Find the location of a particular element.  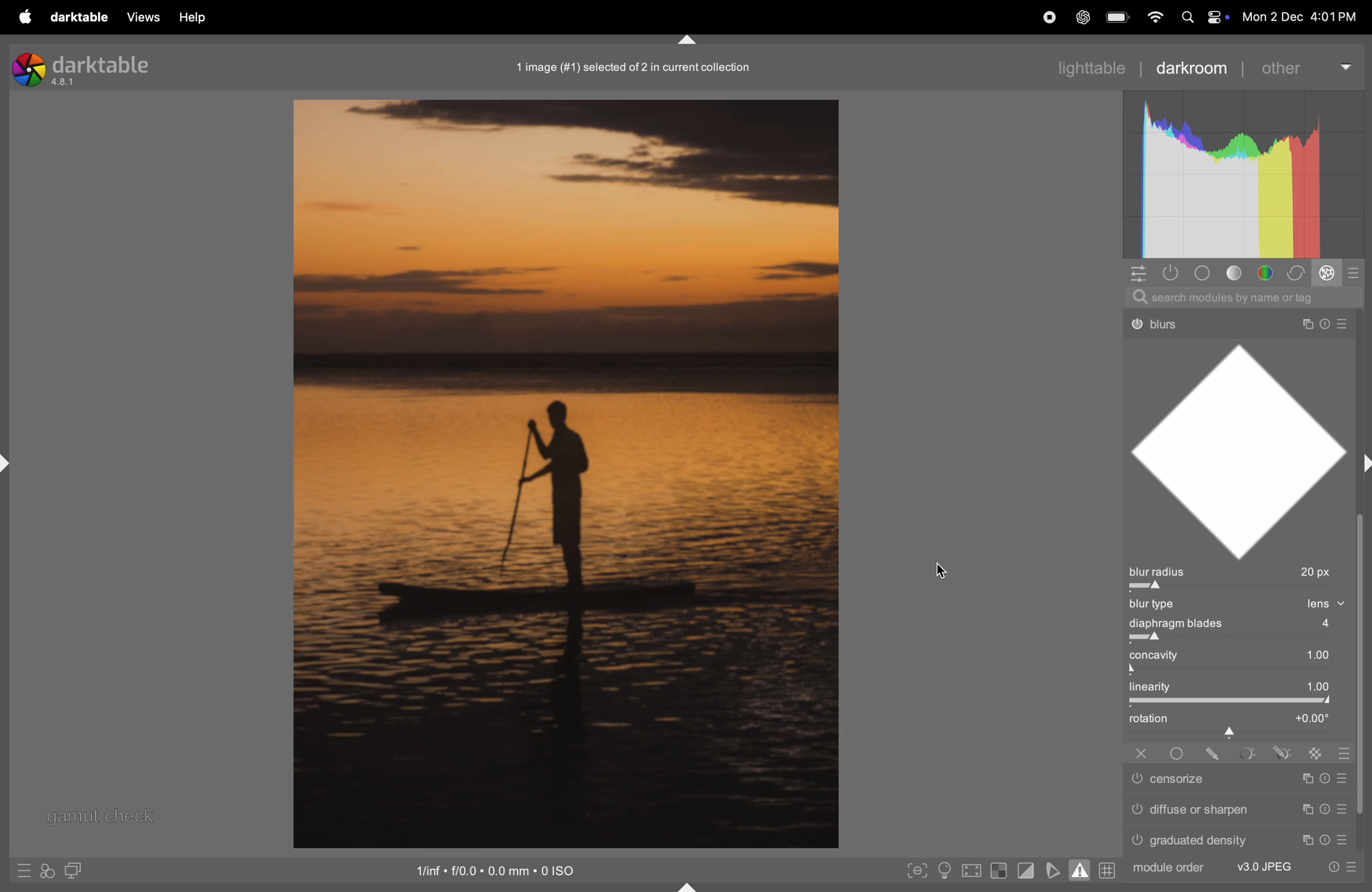

chatgpt is located at coordinates (1083, 16).